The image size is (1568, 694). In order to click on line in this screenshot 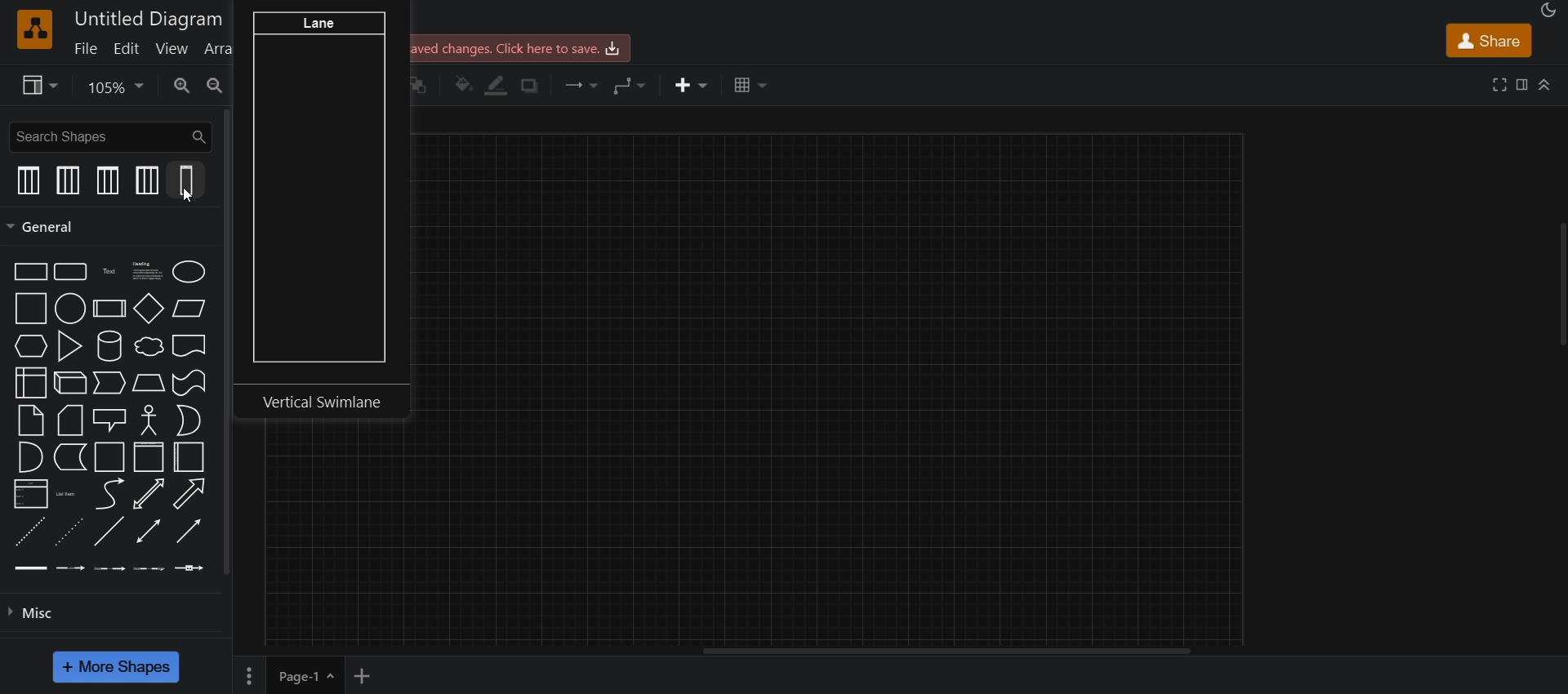, I will do `click(109, 531)`.